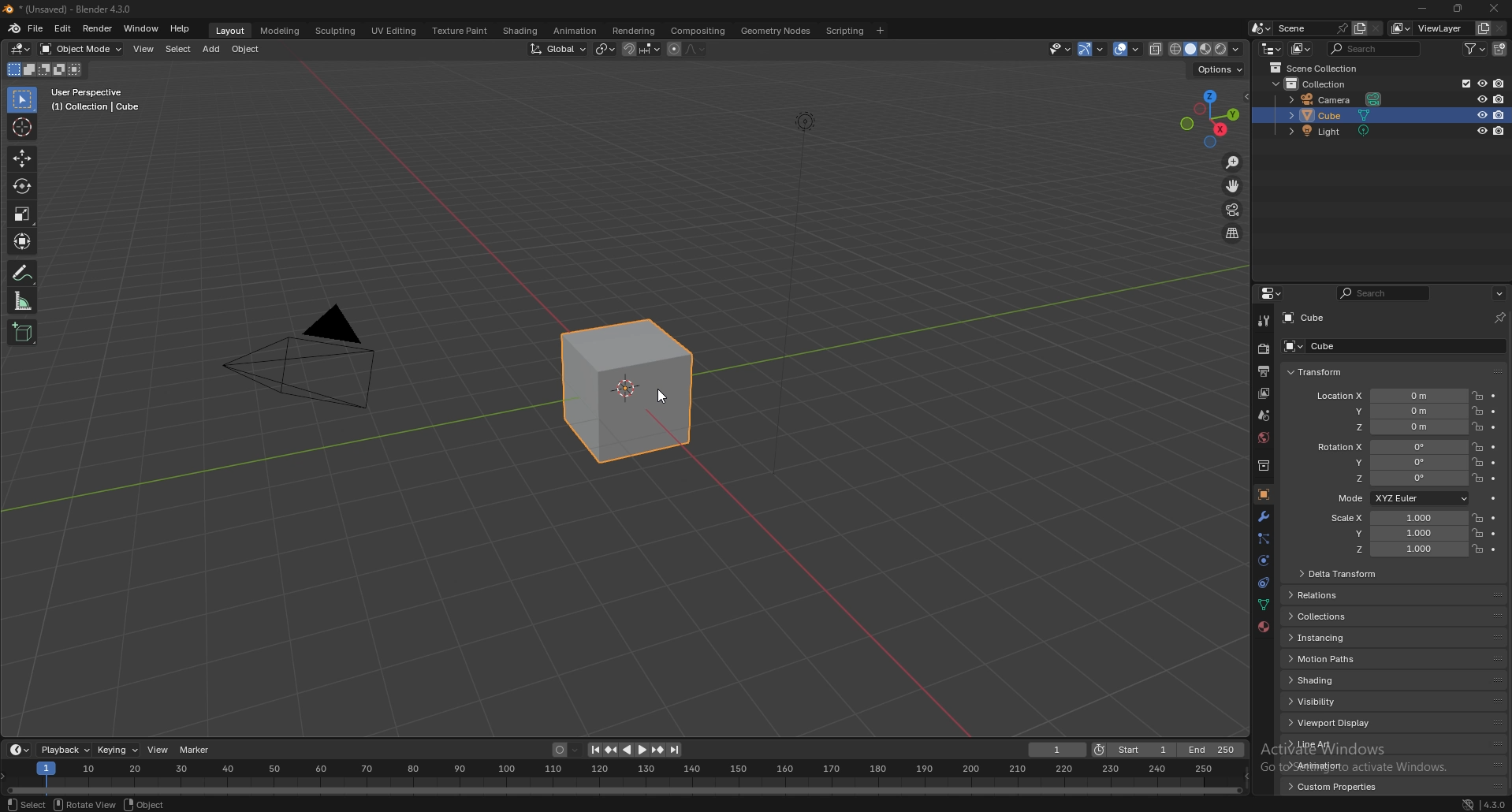  I want to click on collections, so click(1350, 616).